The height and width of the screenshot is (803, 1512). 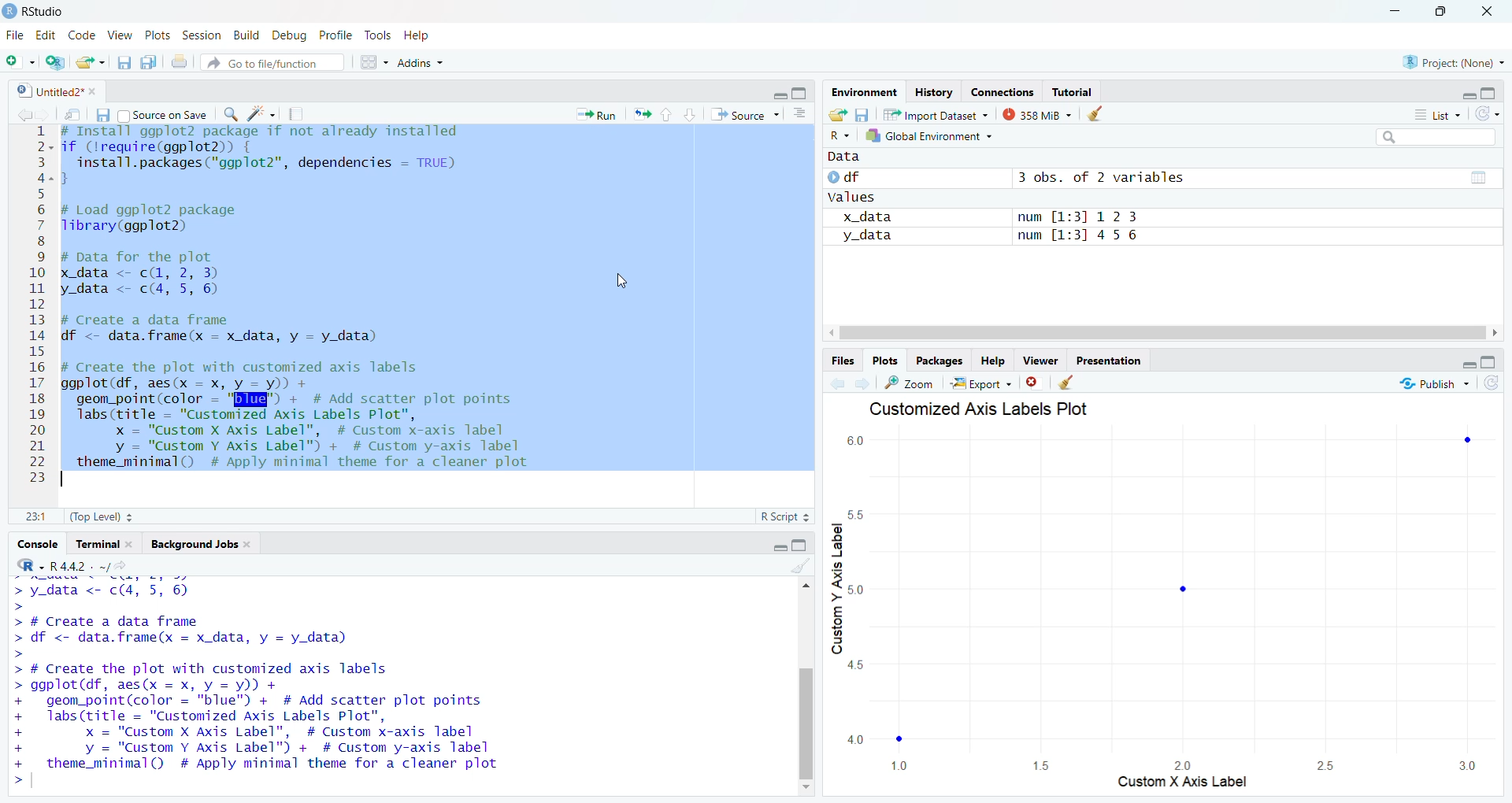 What do you see at coordinates (1435, 115) in the screenshot?
I see `List -` at bounding box center [1435, 115].